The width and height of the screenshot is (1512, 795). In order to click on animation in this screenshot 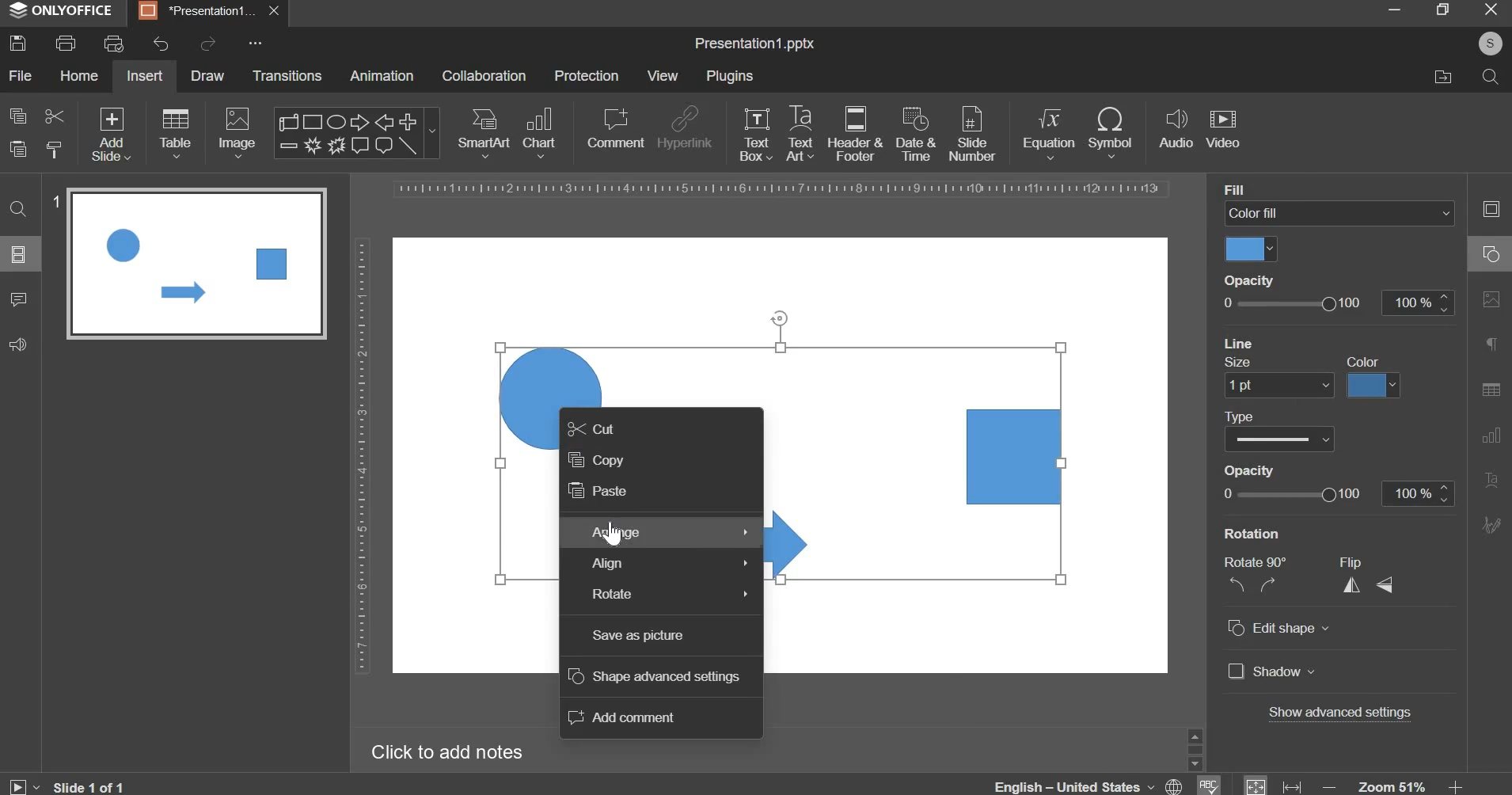, I will do `click(382, 75)`.